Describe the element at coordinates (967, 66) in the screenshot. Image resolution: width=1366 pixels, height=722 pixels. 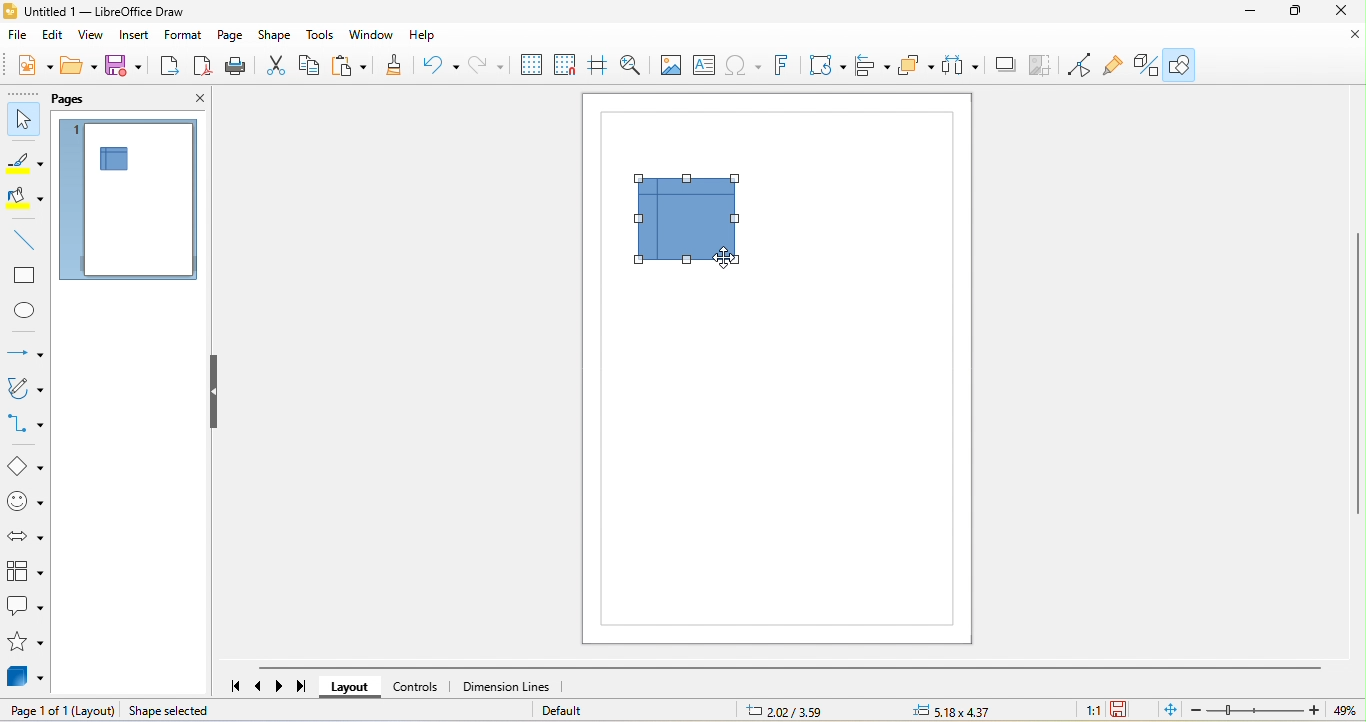
I see `select at least three object to distribute` at that location.